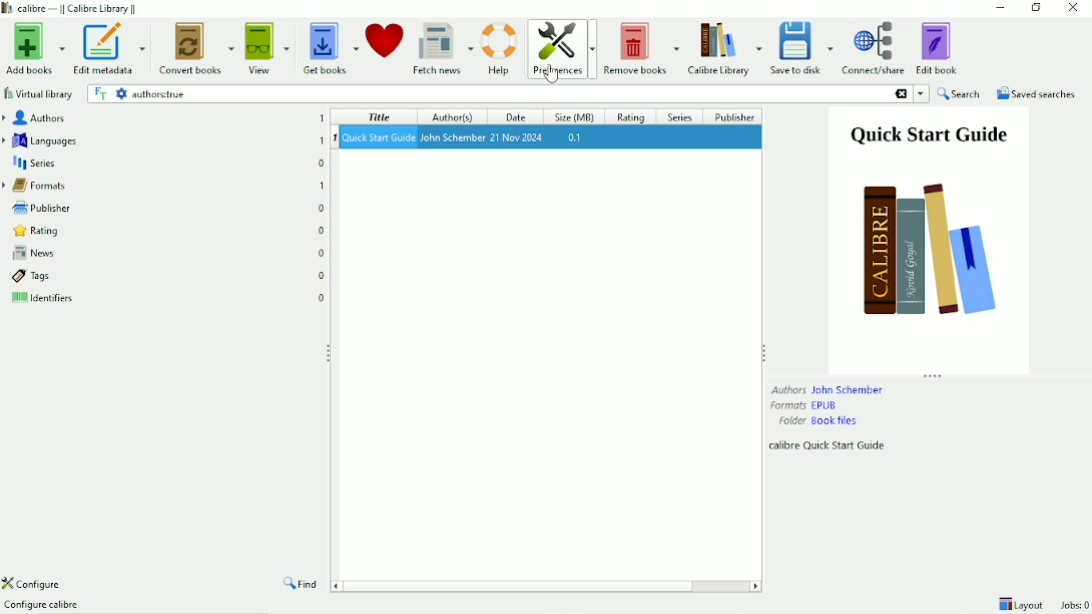  I want to click on authors:true, so click(510, 93).